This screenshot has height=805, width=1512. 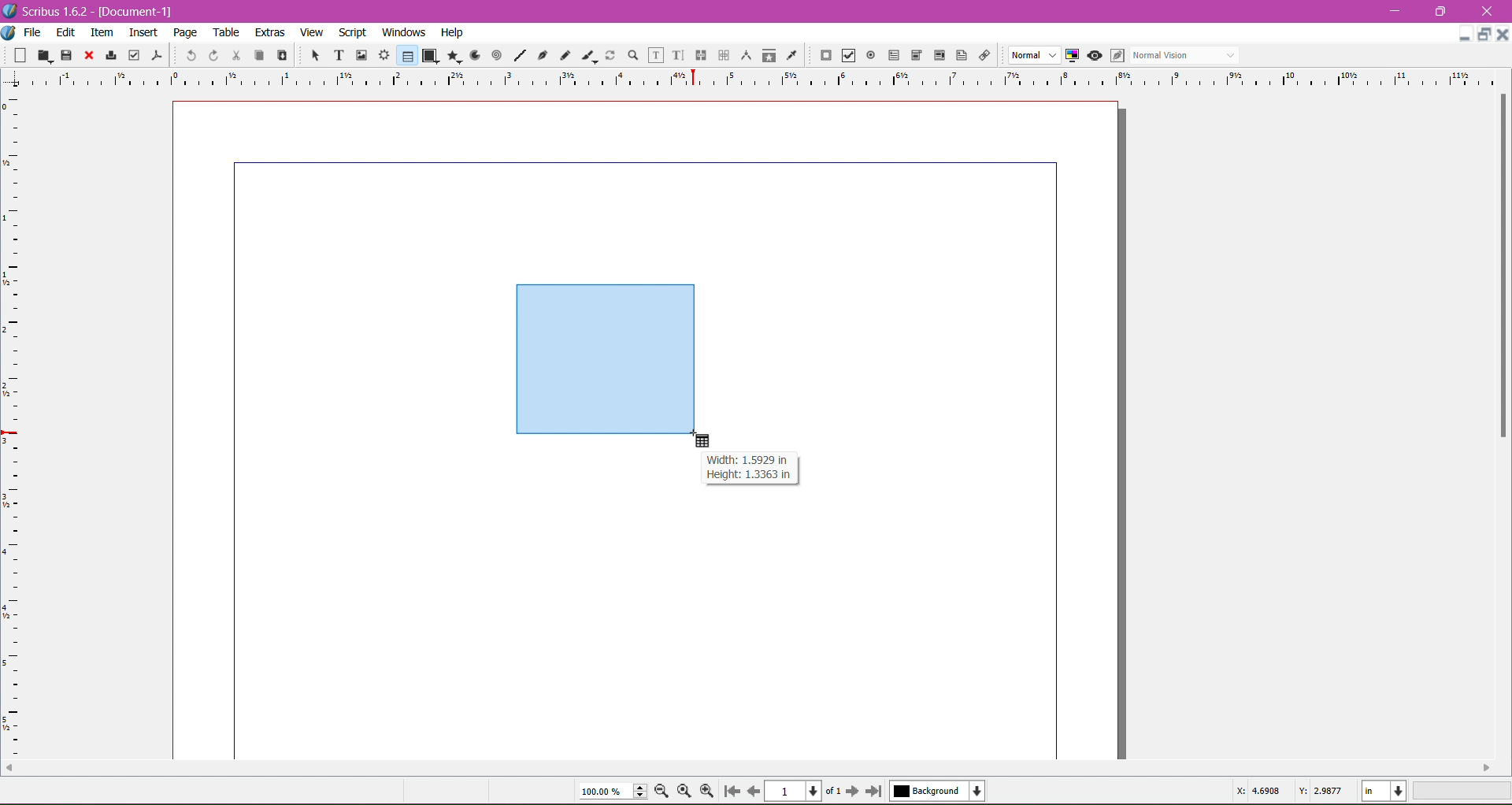 What do you see at coordinates (67, 32) in the screenshot?
I see `Edit` at bounding box center [67, 32].